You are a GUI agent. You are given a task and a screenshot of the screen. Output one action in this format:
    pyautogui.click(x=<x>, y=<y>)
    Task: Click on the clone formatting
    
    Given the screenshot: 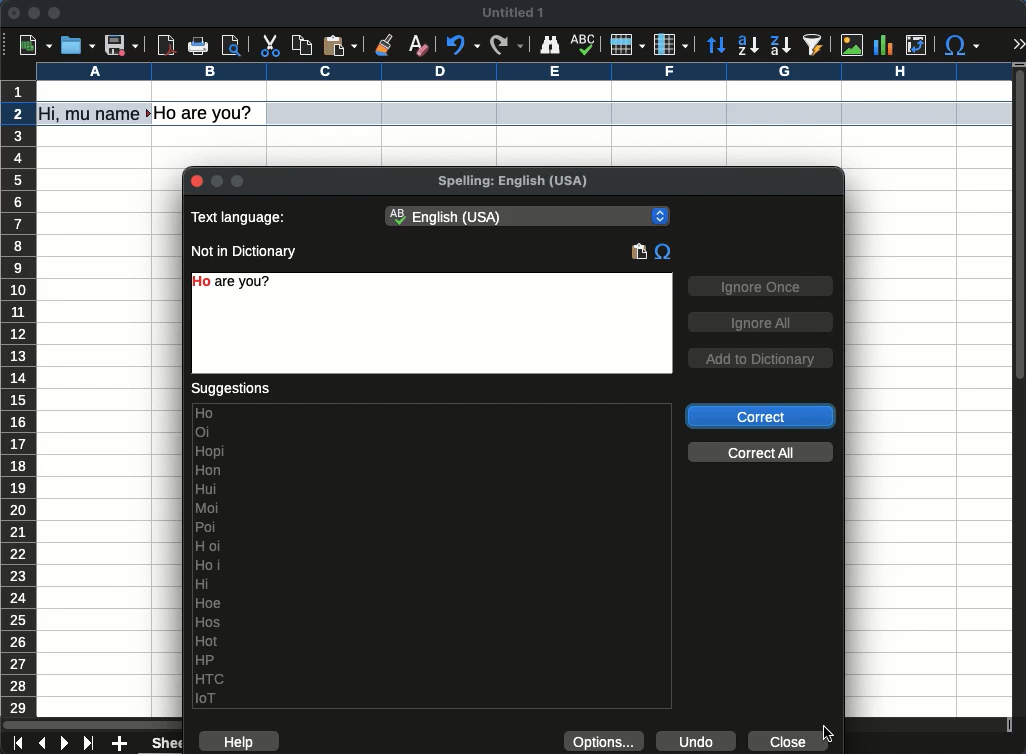 What is the action you would take?
    pyautogui.click(x=382, y=43)
    